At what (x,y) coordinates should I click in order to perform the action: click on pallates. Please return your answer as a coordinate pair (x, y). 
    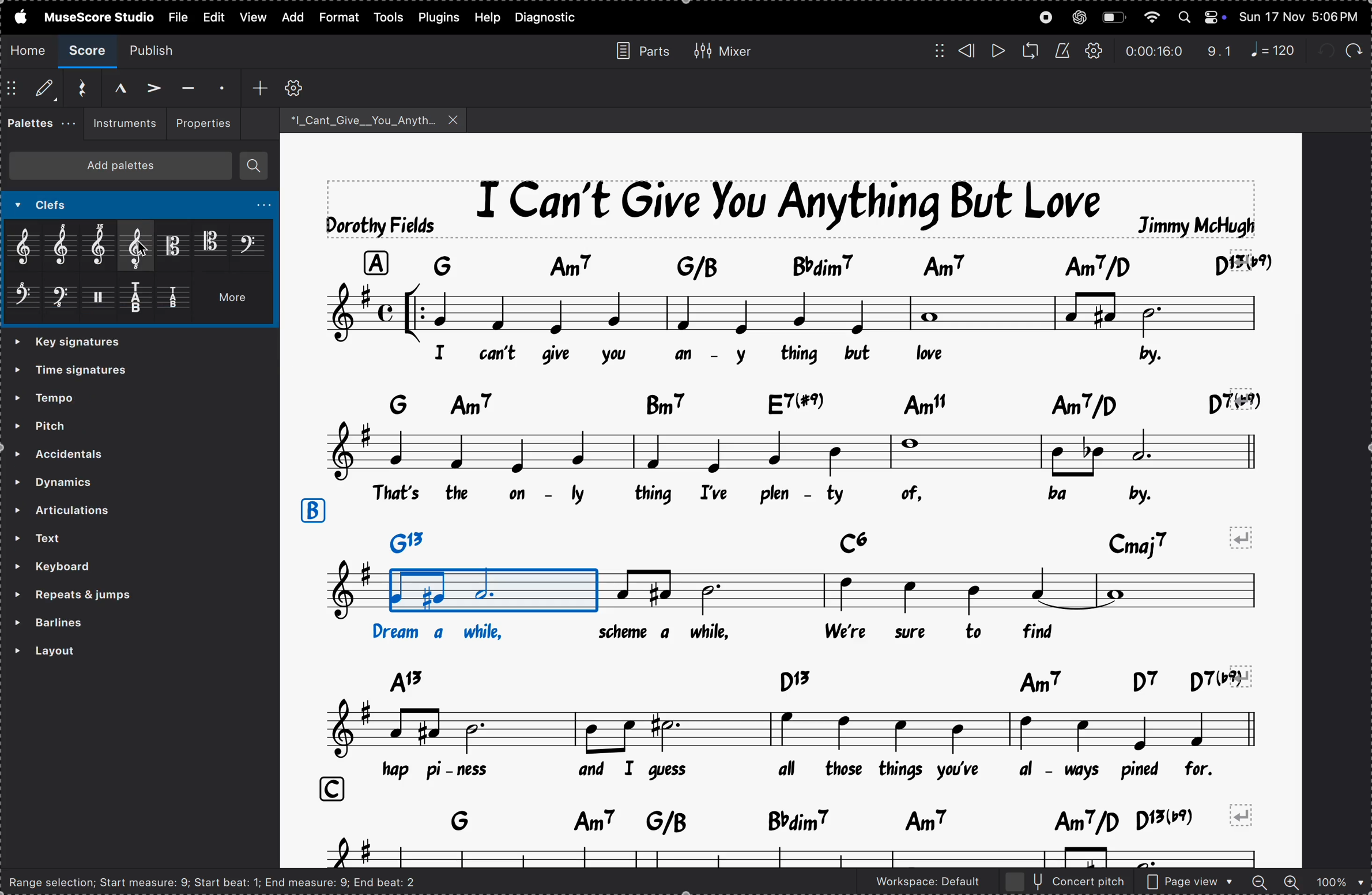
    Looking at the image, I should click on (36, 123).